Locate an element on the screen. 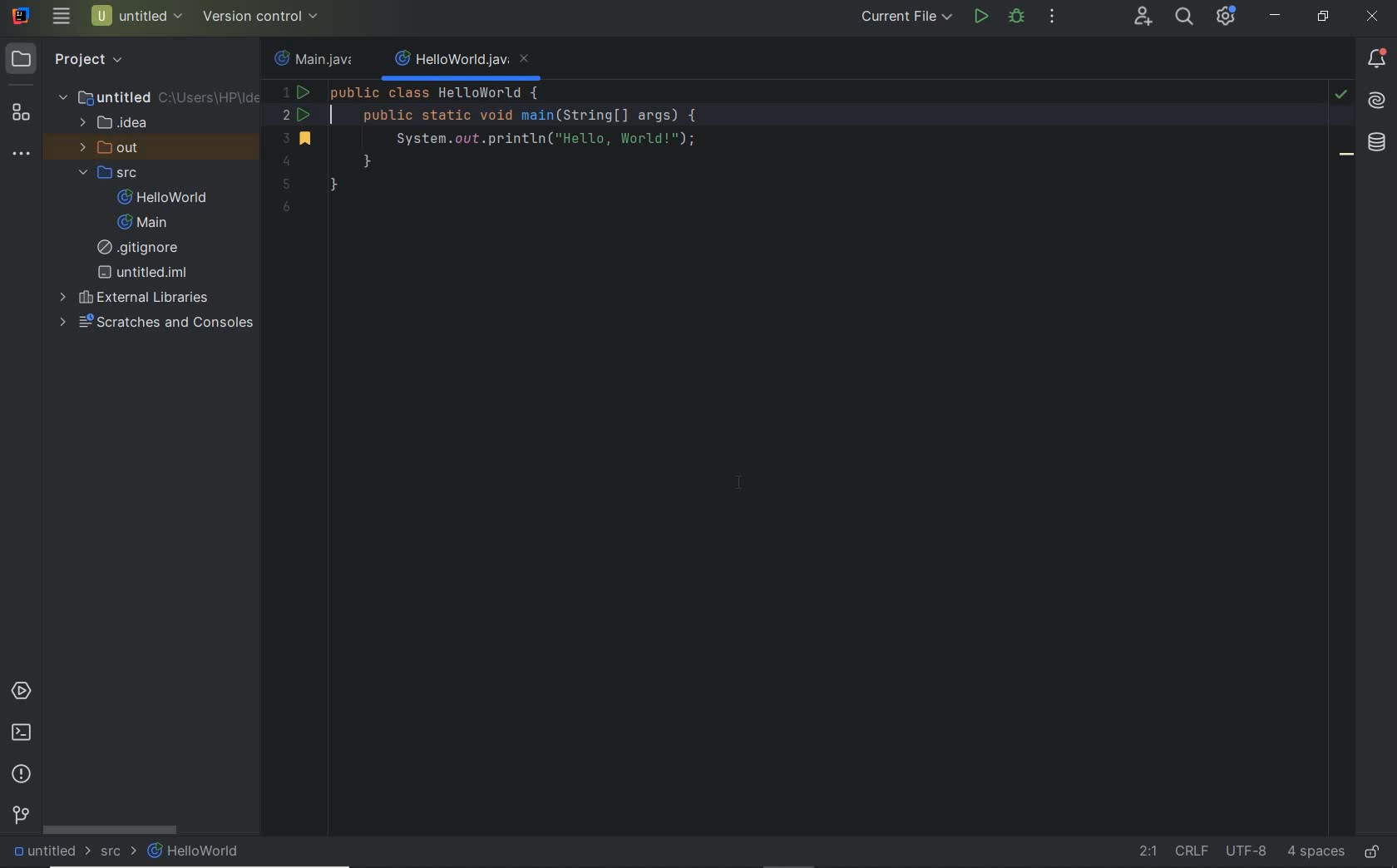 The width and height of the screenshot is (1397, 868). close is located at coordinates (1375, 18).